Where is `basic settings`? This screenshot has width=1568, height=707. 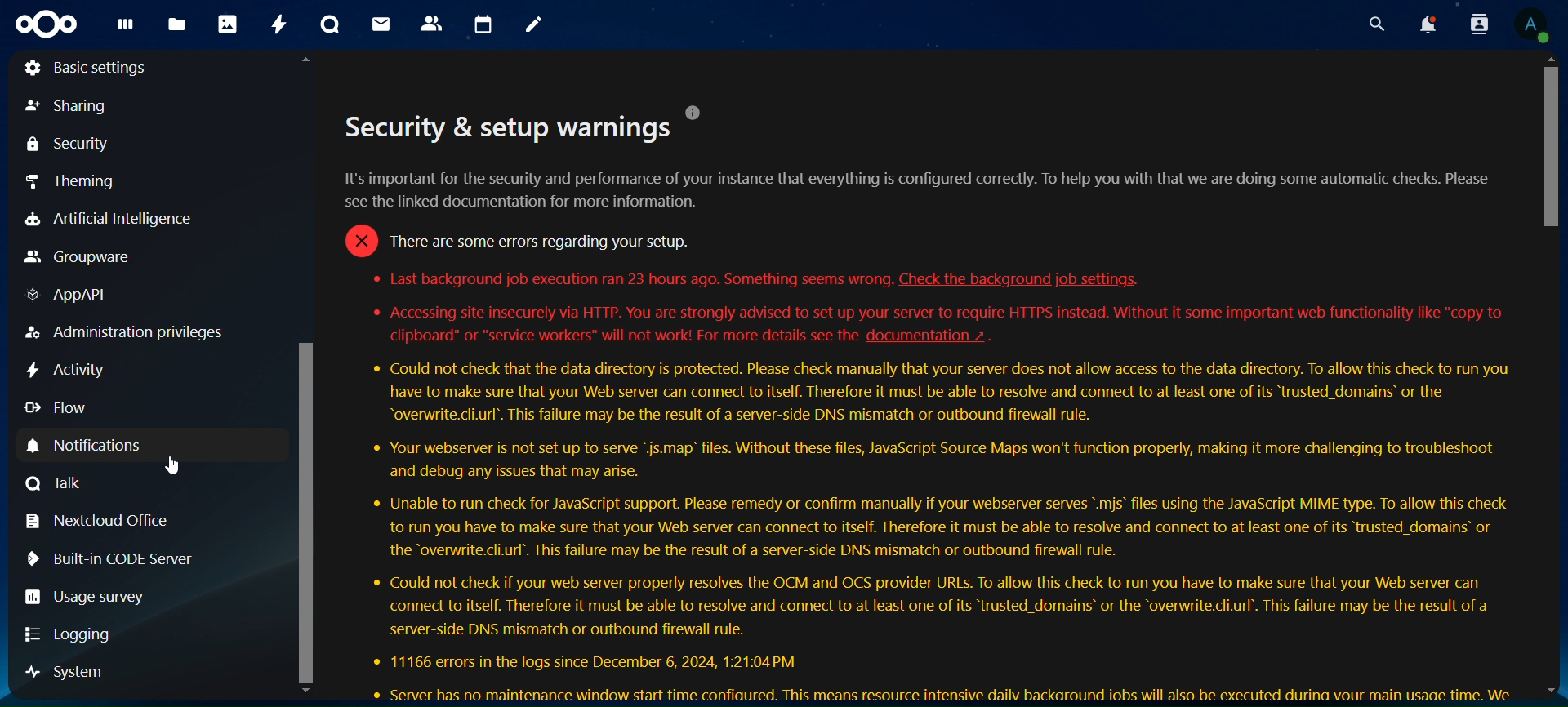 basic settings is located at coordinates (84, 69).